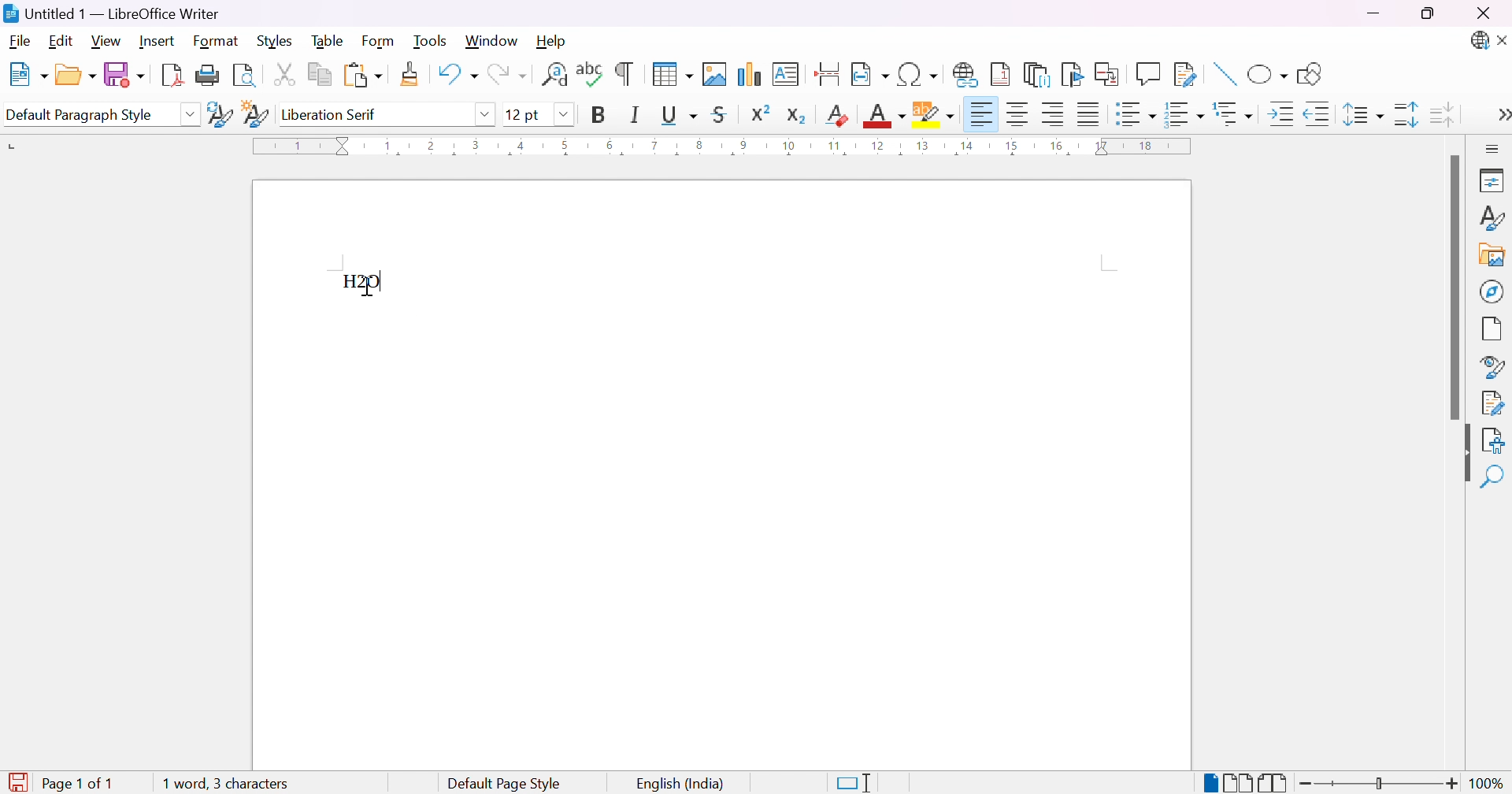 The height and width of the screenshot is (794, 1512). I want to click on Toggle unordered list, so click(1137, 117).